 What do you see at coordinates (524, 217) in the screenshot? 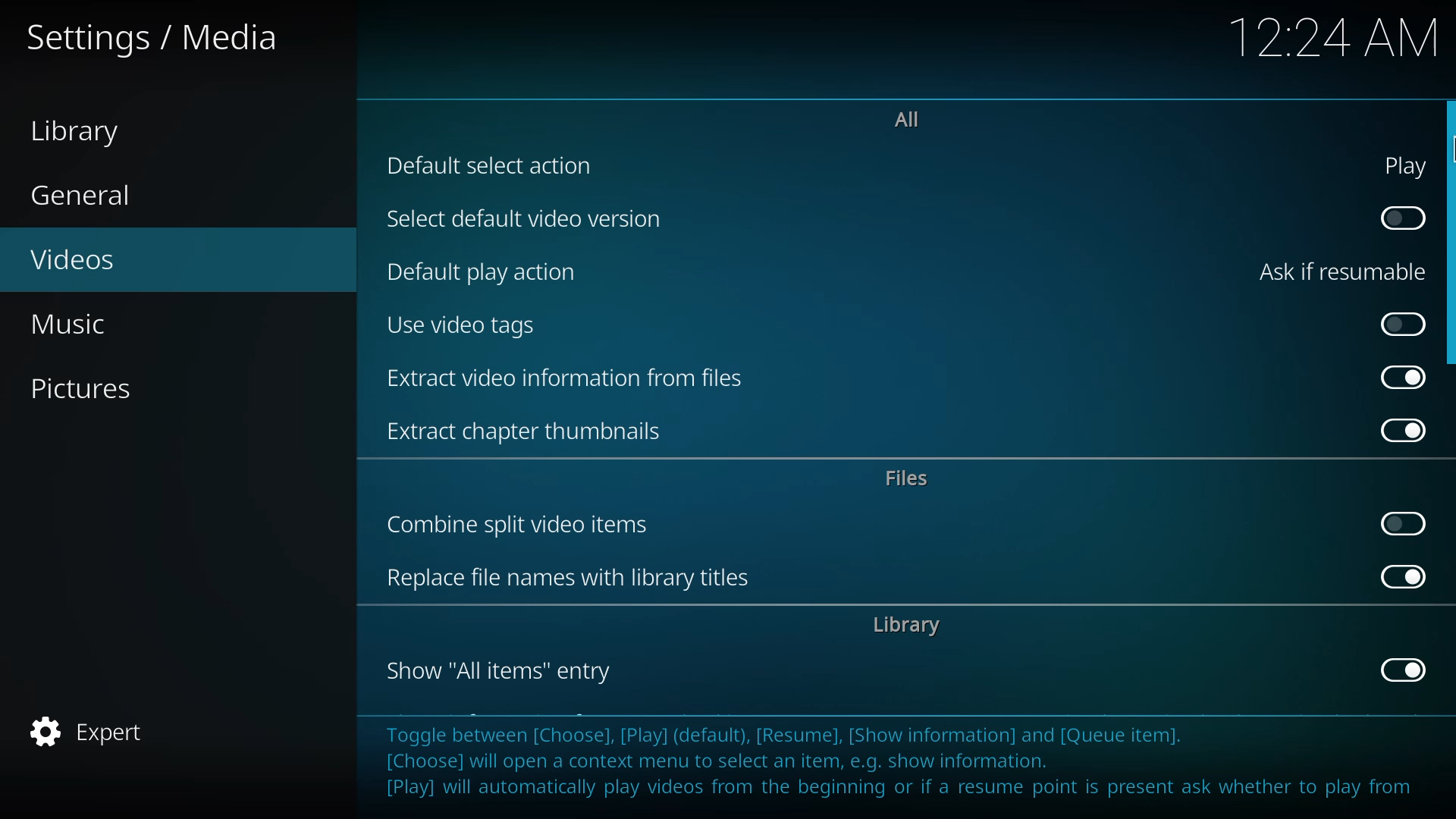
I see `select default video version` at bounding box center [524, 217].